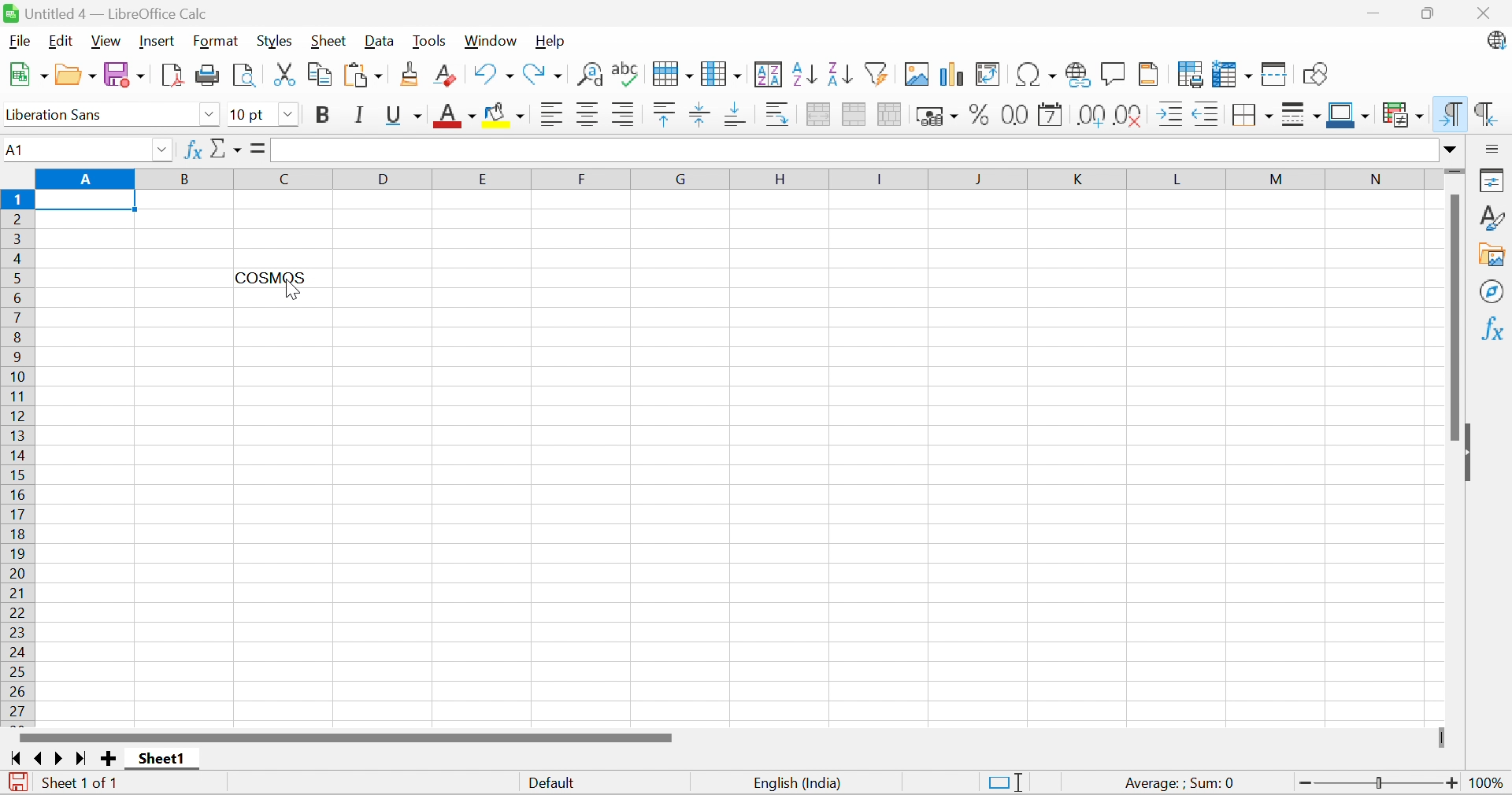  I want to click on Row, so click(669, 76).